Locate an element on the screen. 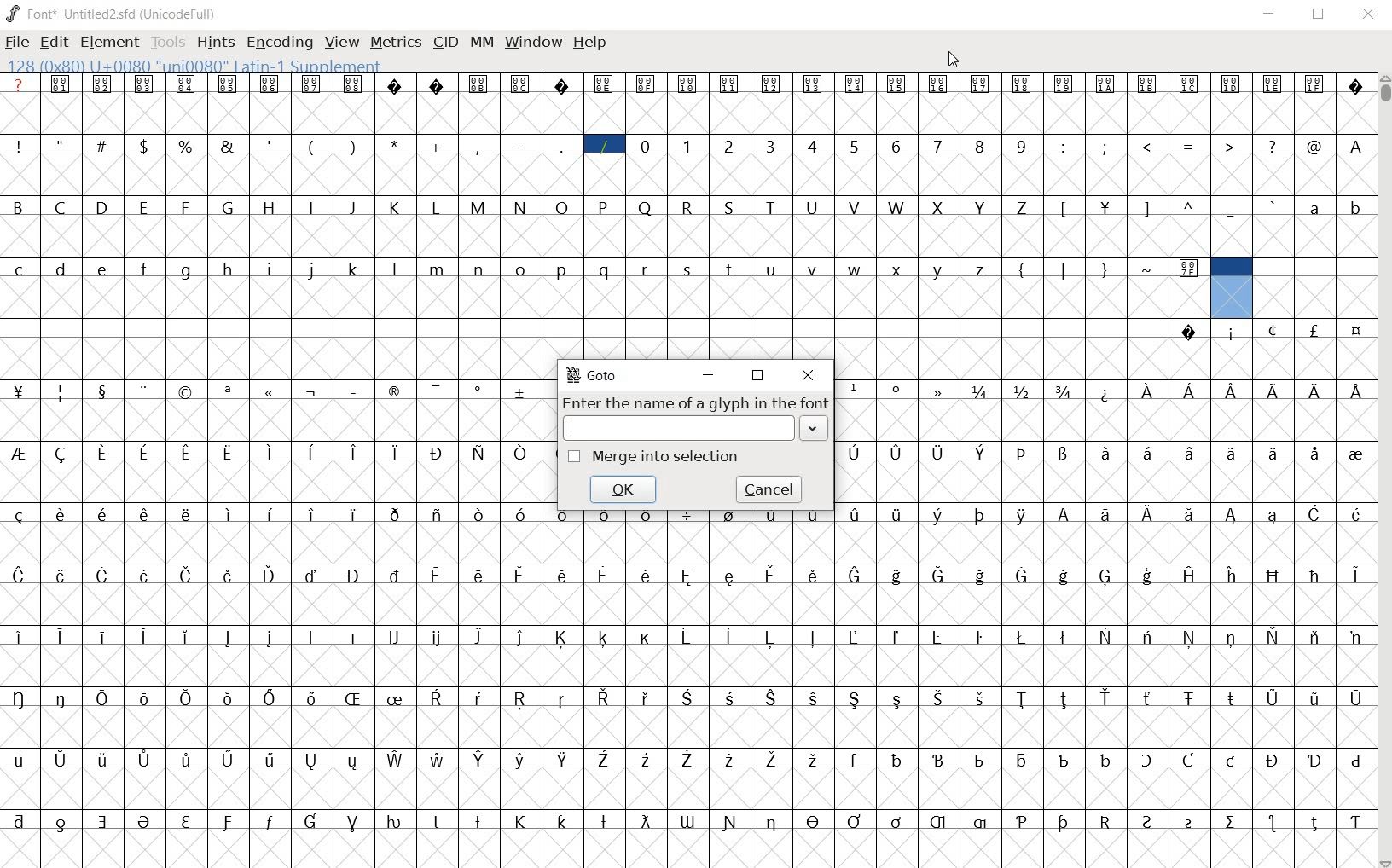  Symbol is located at coordinates (148, 390).